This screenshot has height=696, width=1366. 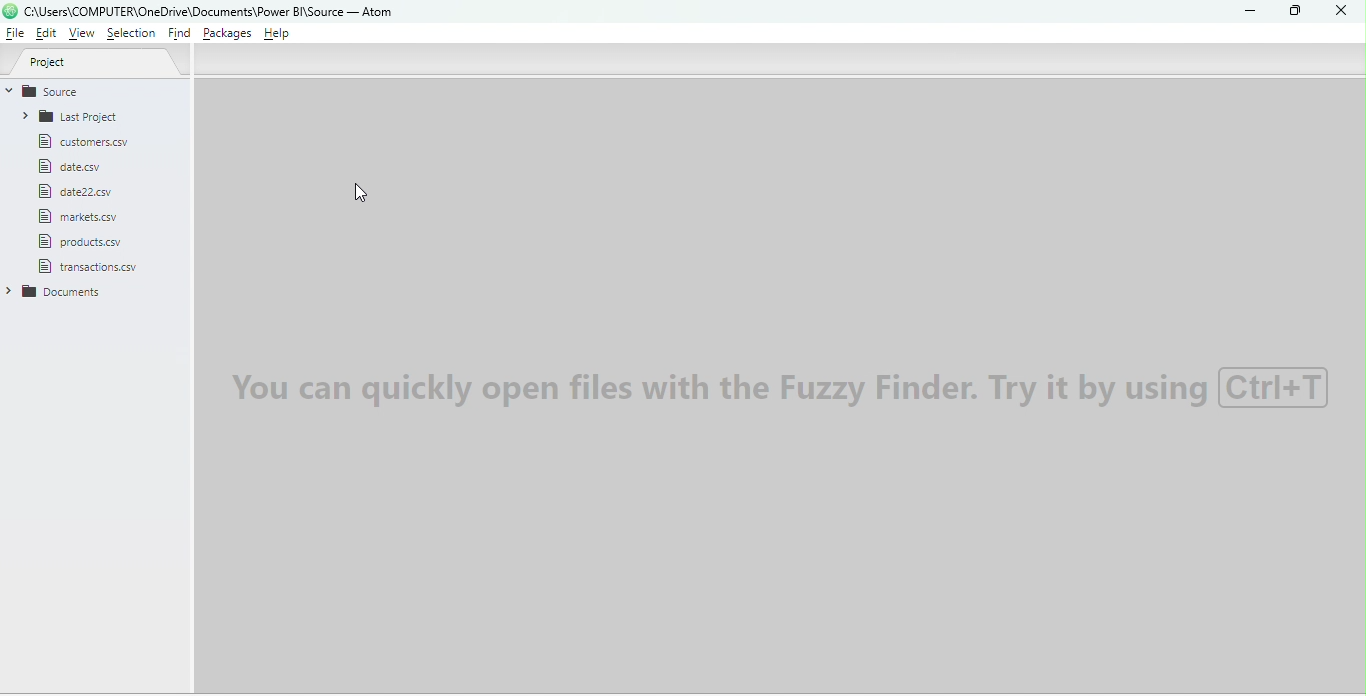 I want to click on File name, so click(x=243, y=12).